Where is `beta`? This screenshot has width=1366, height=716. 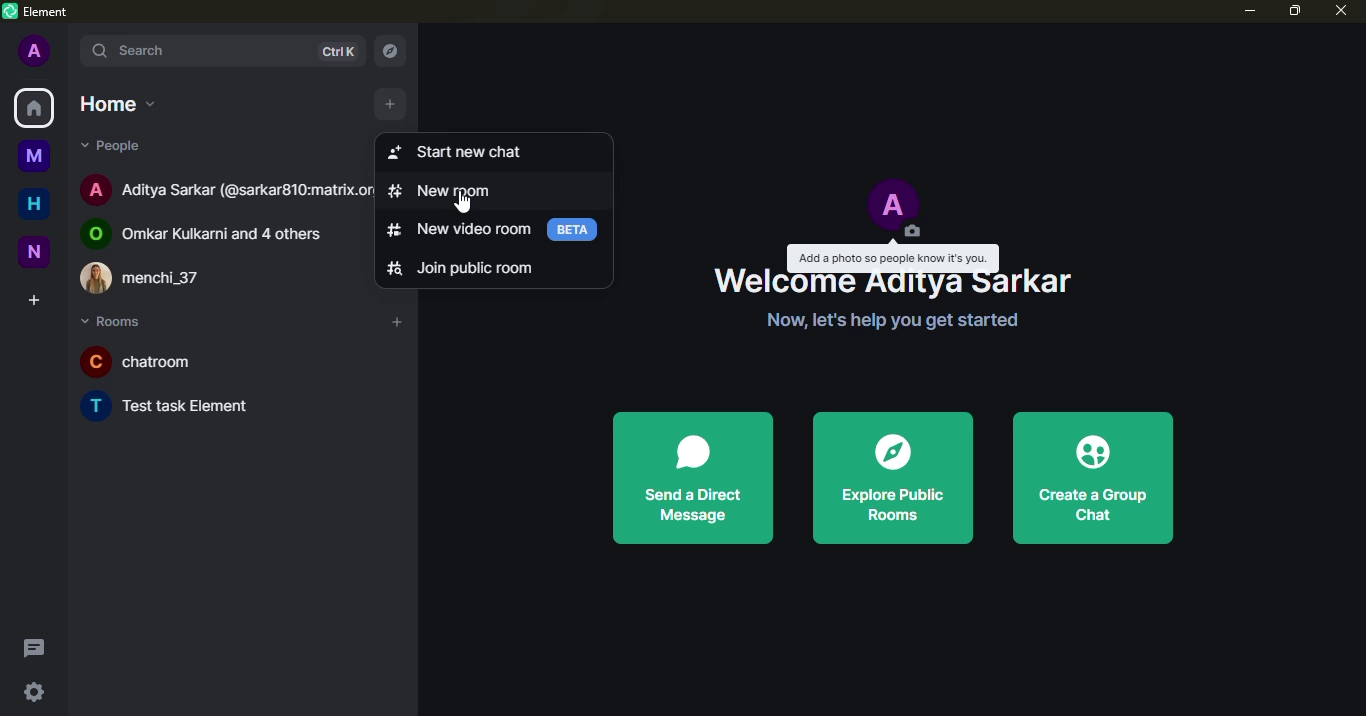 beta is located at coordinates (572, 229).